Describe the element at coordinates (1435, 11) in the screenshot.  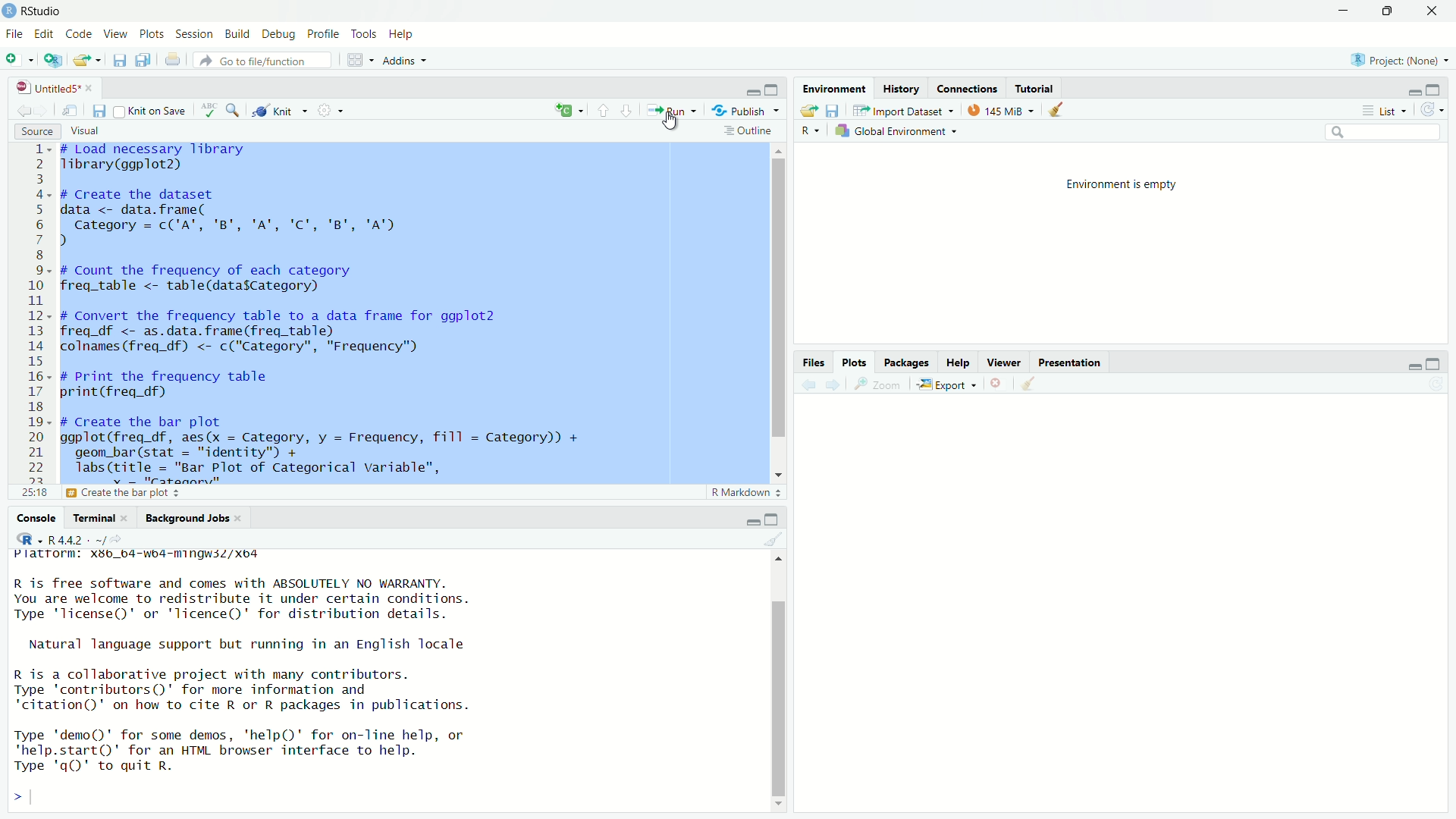
I see `close` at that location.